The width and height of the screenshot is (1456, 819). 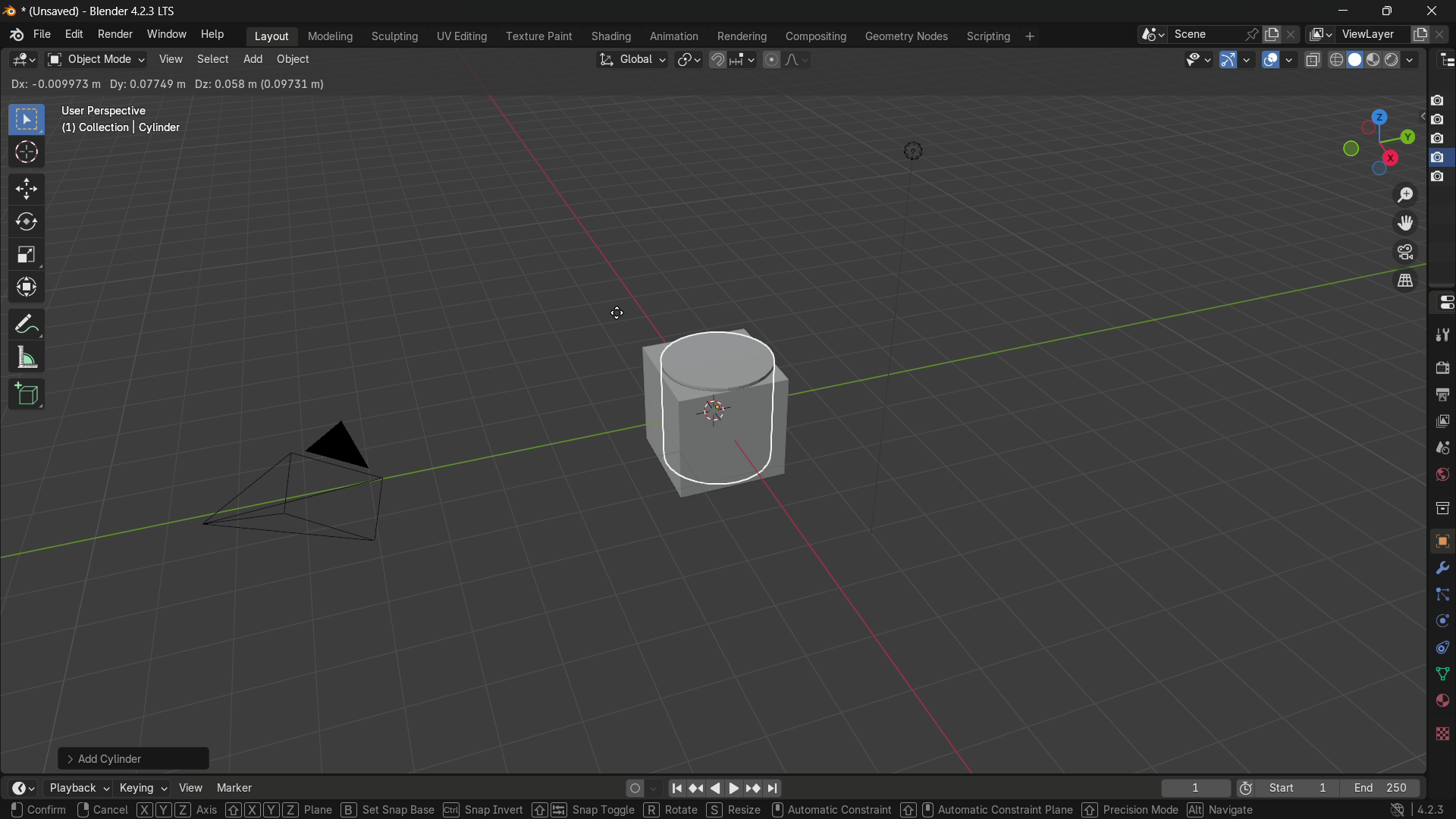 What do you see at coordinates (1246, 59) in the screenshot?
I see `gizmos` at bounding box center [1246, 59].